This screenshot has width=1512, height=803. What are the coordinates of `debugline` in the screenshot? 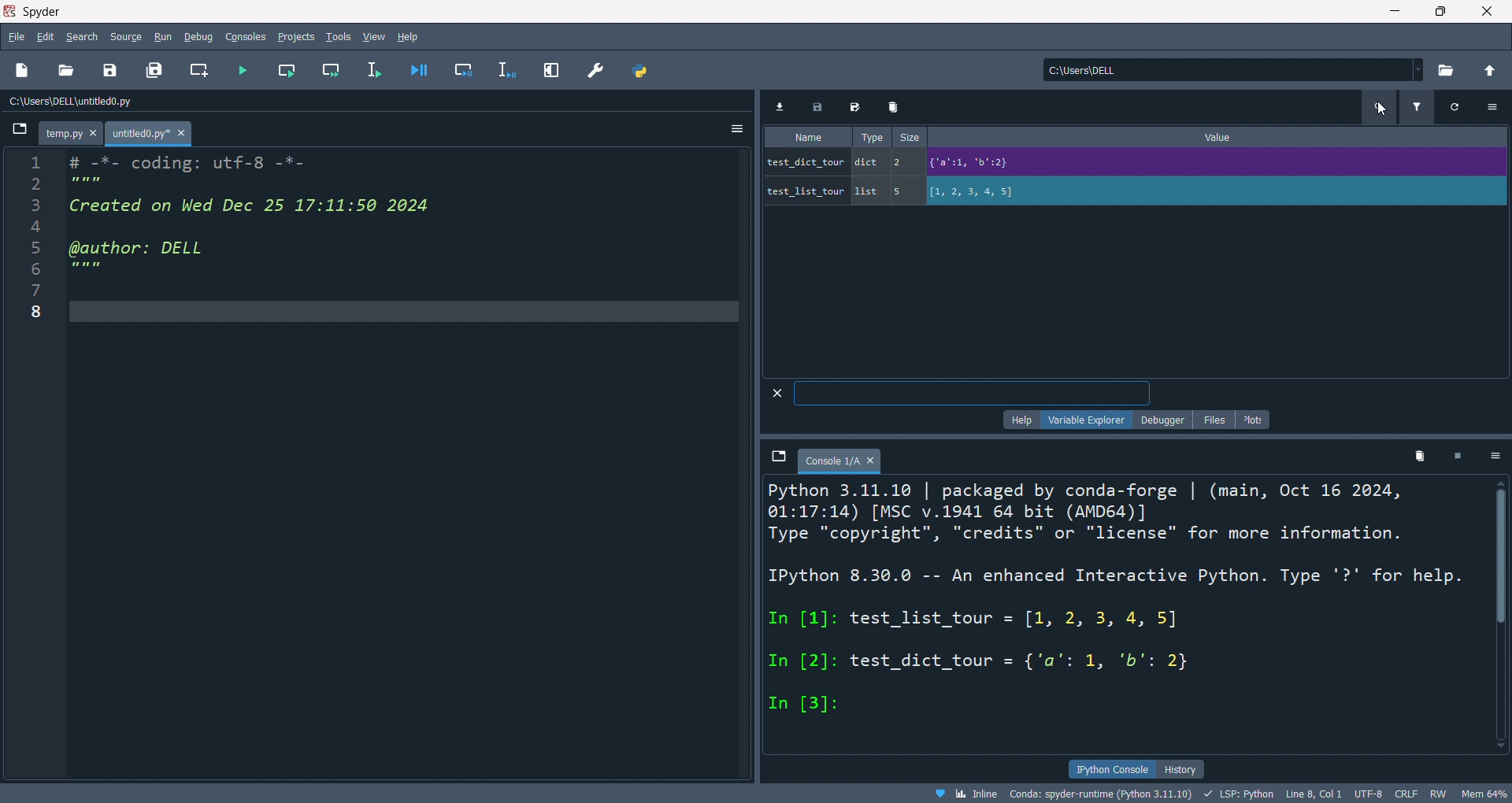 It's located at (501, 68).